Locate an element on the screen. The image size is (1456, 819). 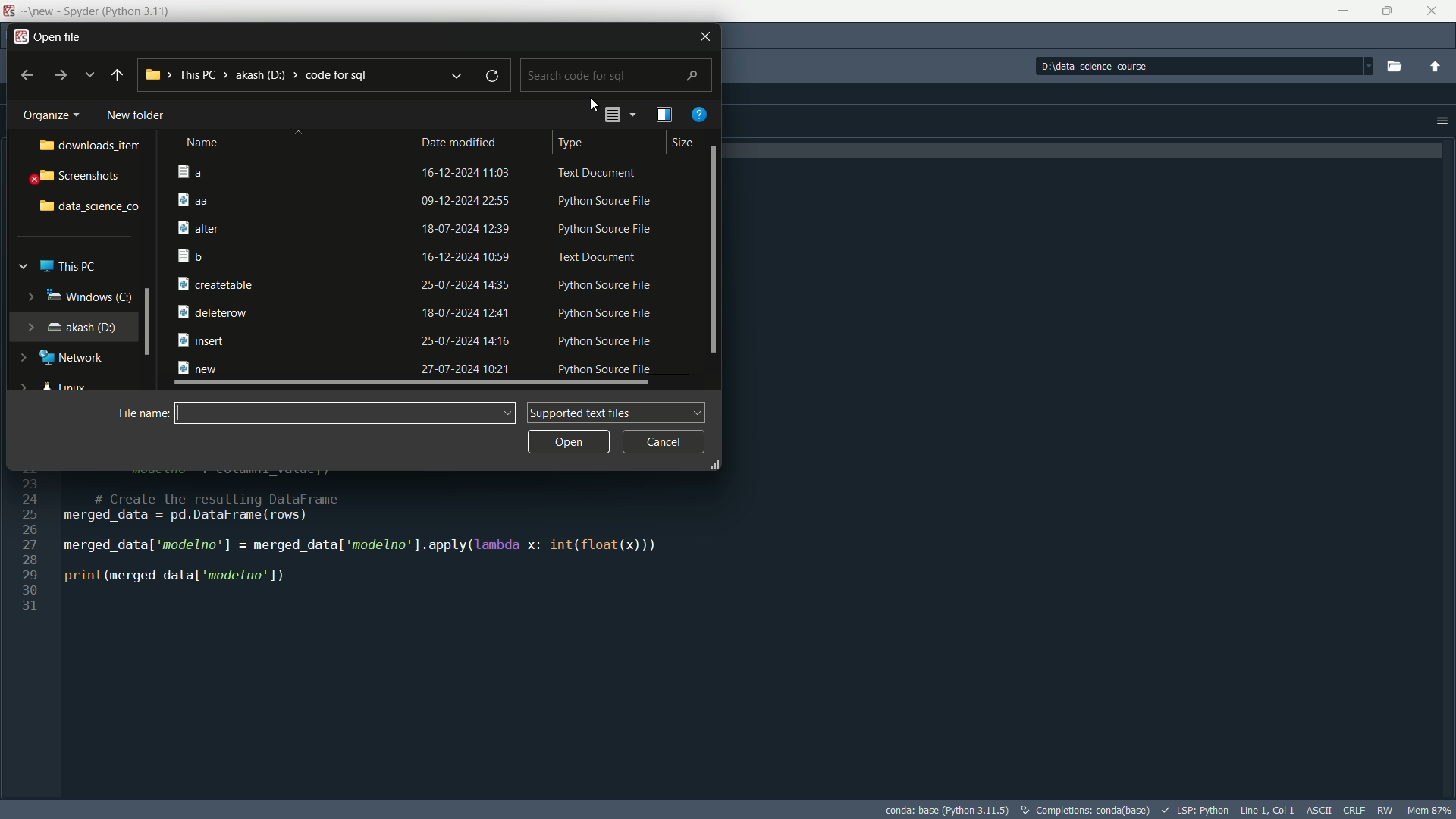
interpreter is located at coordinates (946, 811).